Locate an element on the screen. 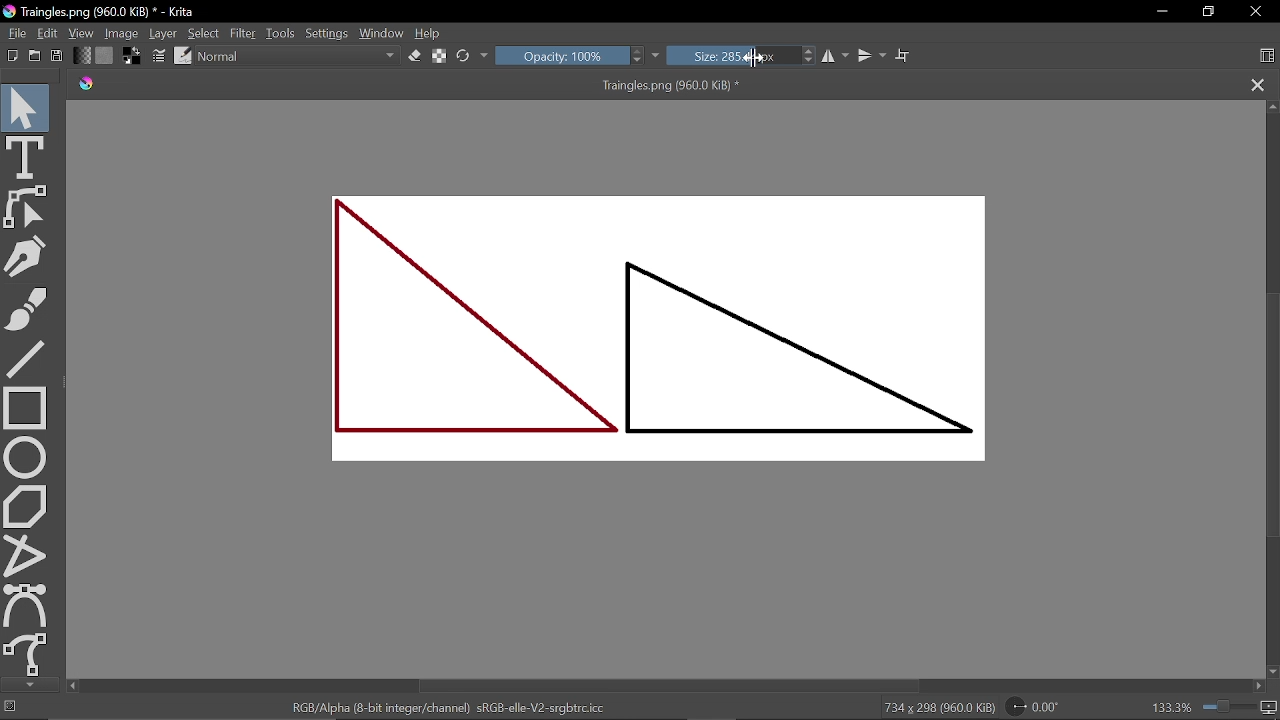 Image resolution: width=1280 pixels, height=720 pixels. Minimize is located at coordinates (1160, 11).